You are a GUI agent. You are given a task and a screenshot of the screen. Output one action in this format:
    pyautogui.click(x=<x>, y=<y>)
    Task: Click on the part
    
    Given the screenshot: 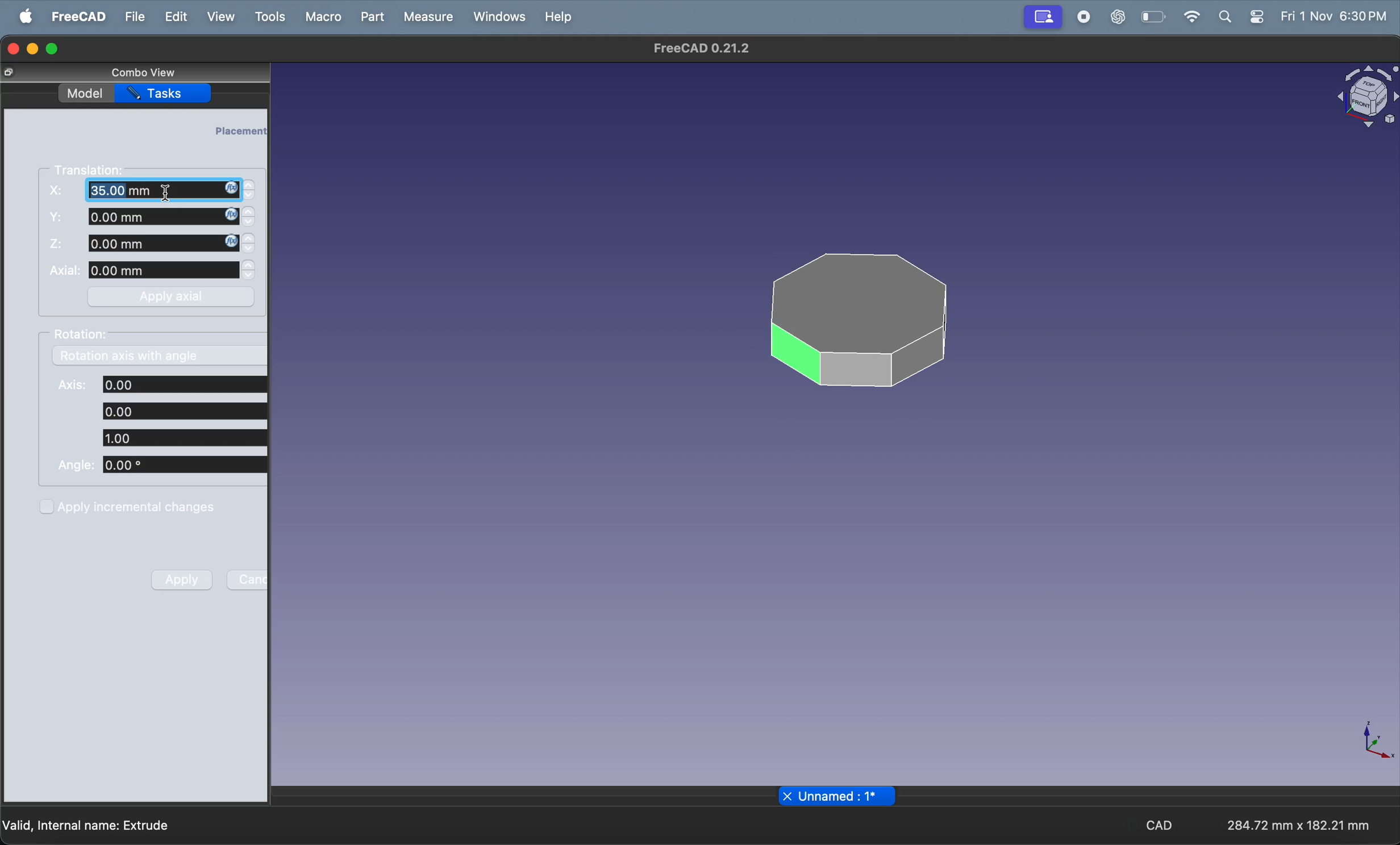 What is the action you would take?
    pyautogui.click(x=372, y=16)
    